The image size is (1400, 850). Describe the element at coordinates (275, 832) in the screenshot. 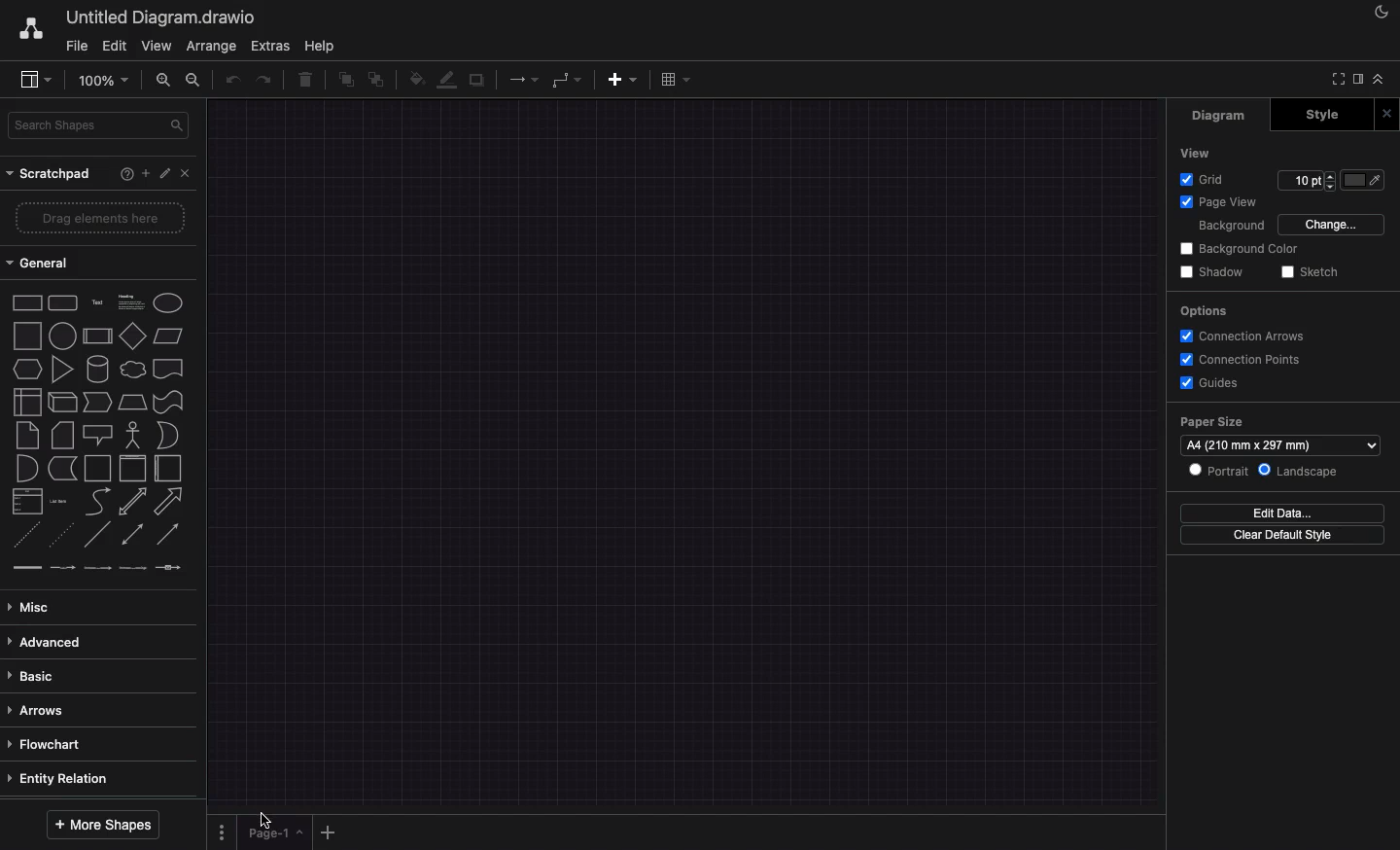

I see `page 1` at that location.